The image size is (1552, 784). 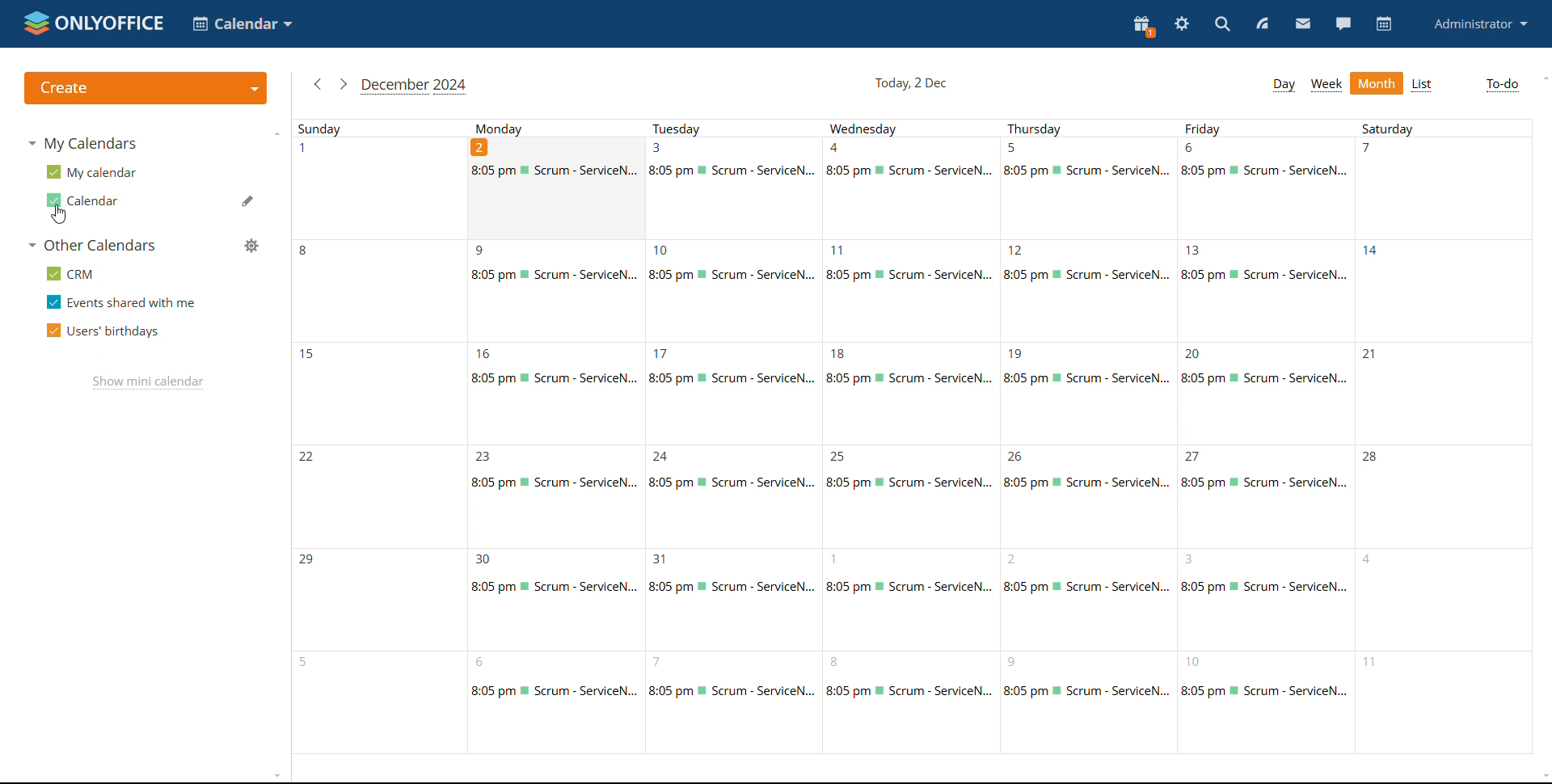 What do you see at coordinates (380, 129) in the screenshot?
I see `sunday` at bounding box center [380, 129].